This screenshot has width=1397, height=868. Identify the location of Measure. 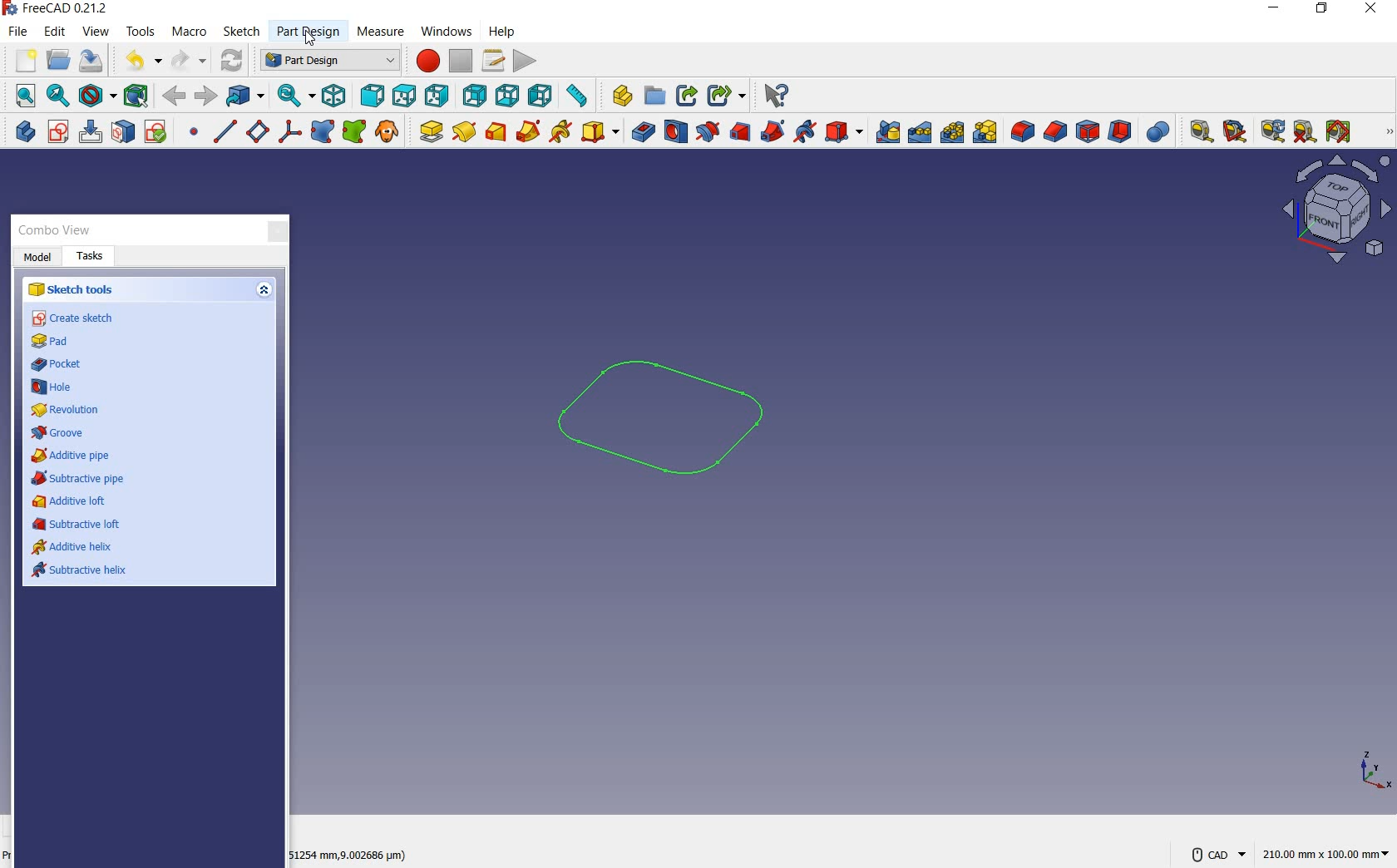
(379, 29).